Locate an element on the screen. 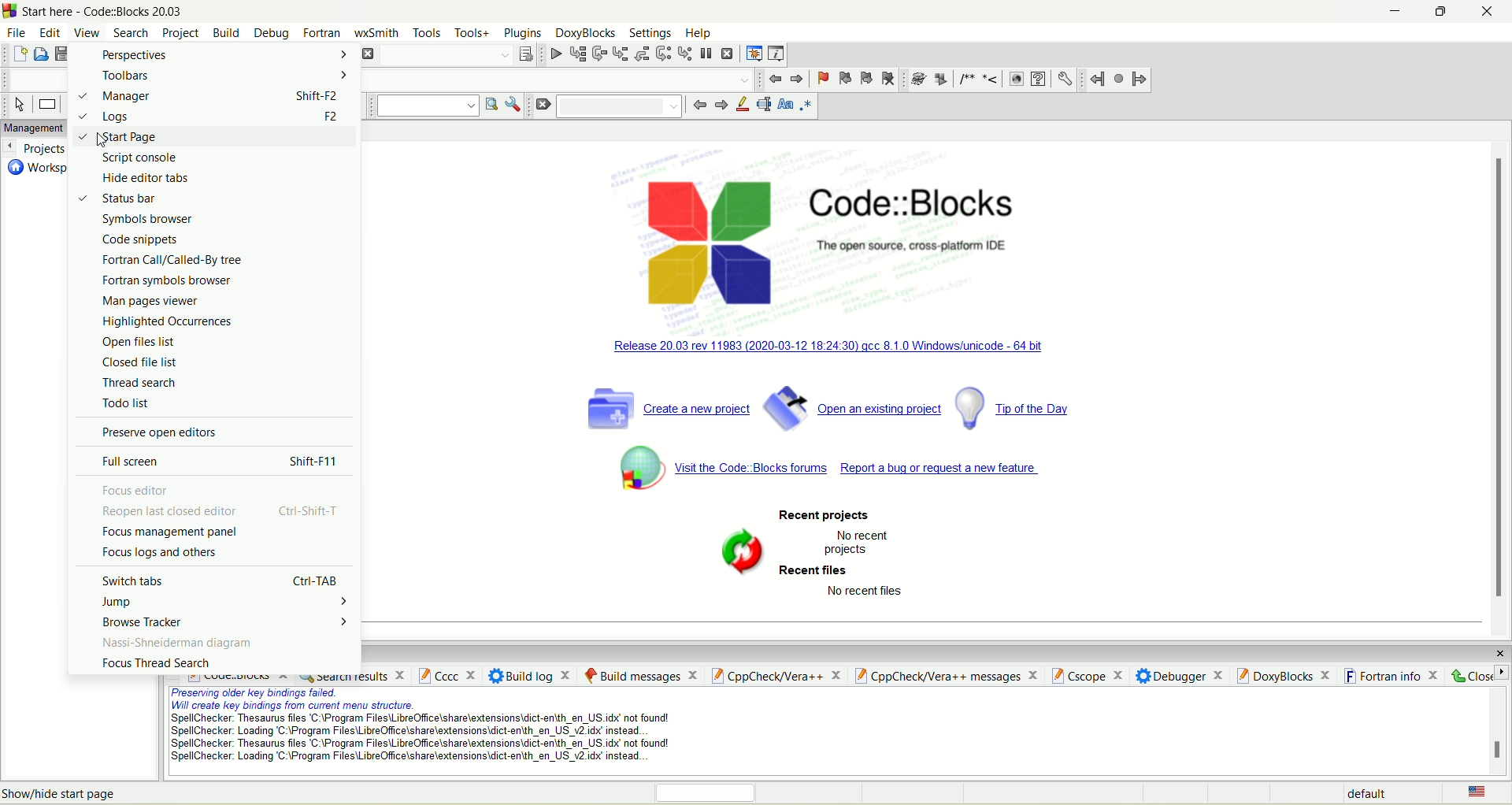 The image size is (1512, 805). debugging window is located at coordinates (752, 54).